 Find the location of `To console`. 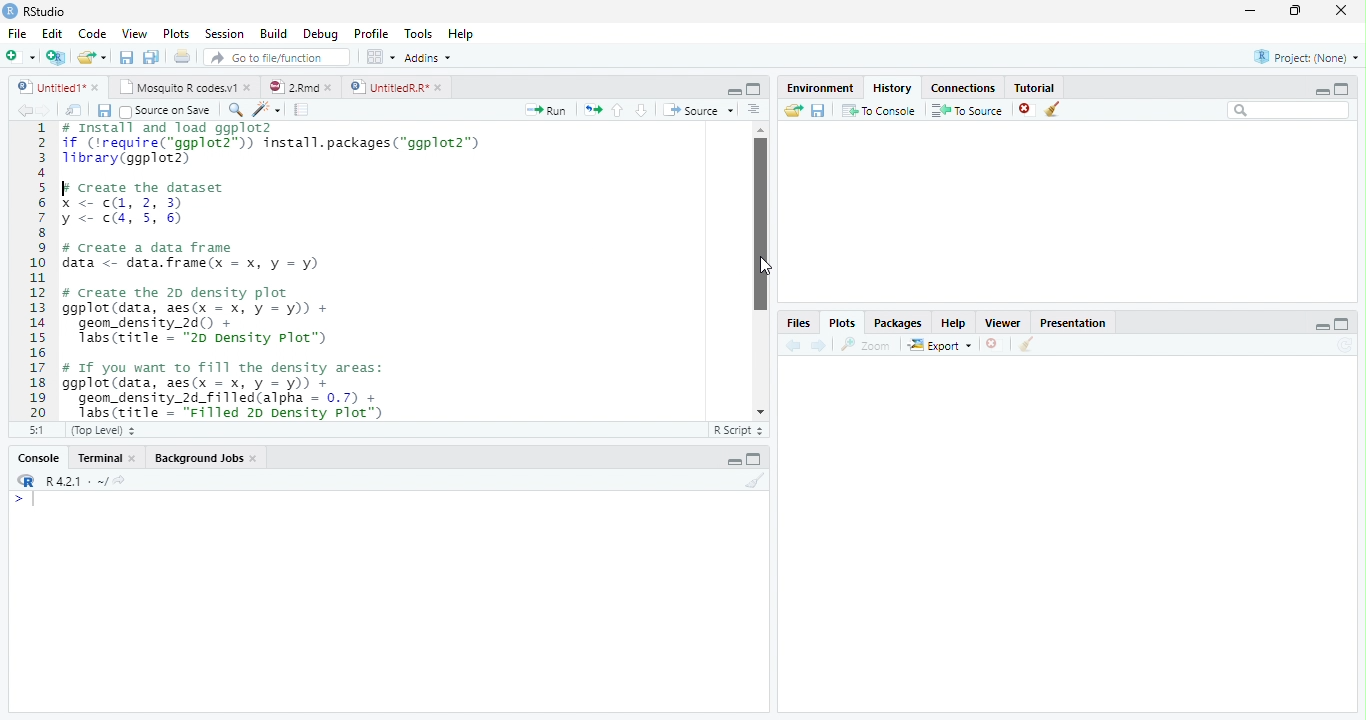

To console is located at coordinates (880, 110).